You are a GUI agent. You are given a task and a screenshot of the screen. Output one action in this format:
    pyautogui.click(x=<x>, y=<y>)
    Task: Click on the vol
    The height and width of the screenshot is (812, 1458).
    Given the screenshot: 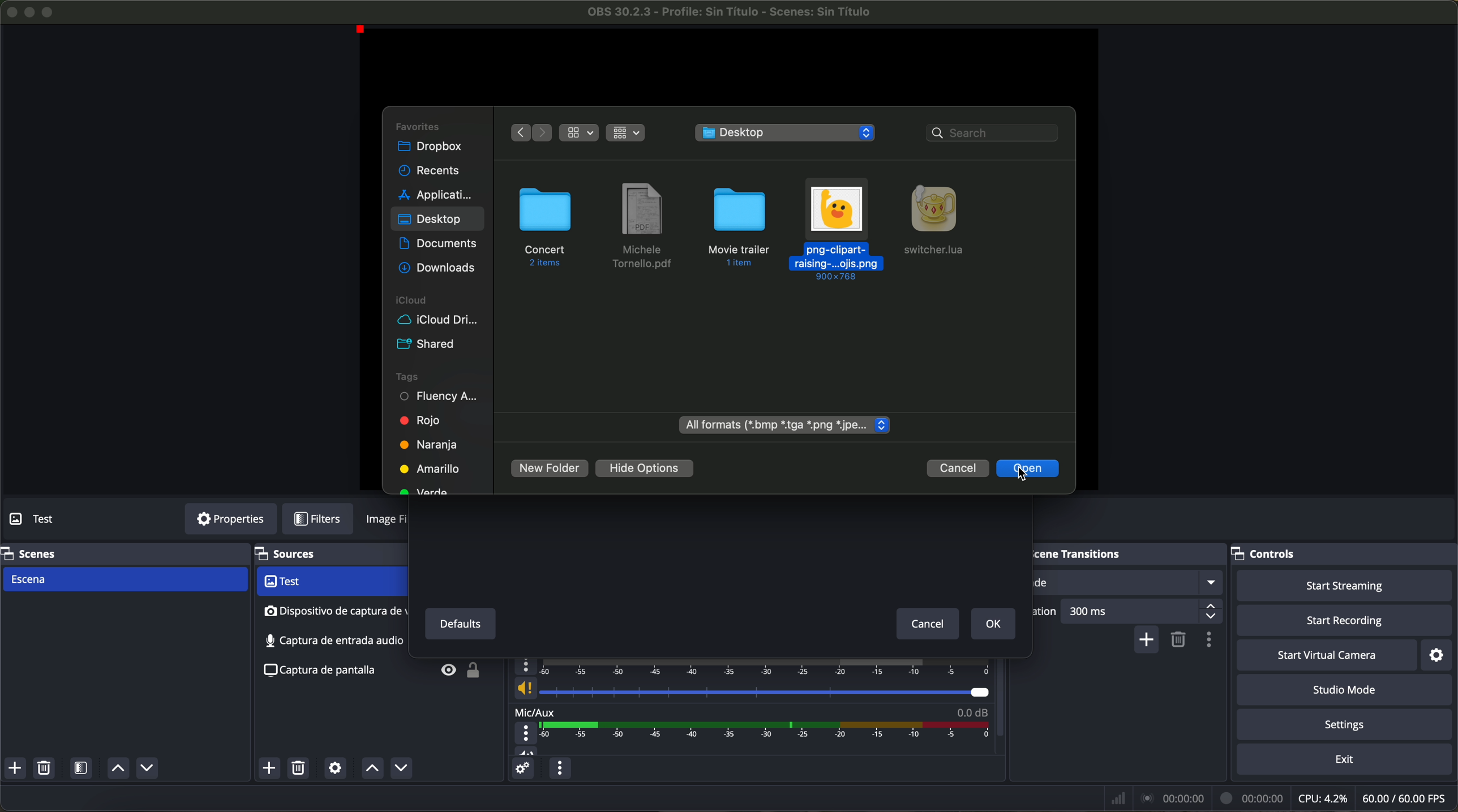 What is the action you would take?
    pyautogui.click(x=526, y=750)
    